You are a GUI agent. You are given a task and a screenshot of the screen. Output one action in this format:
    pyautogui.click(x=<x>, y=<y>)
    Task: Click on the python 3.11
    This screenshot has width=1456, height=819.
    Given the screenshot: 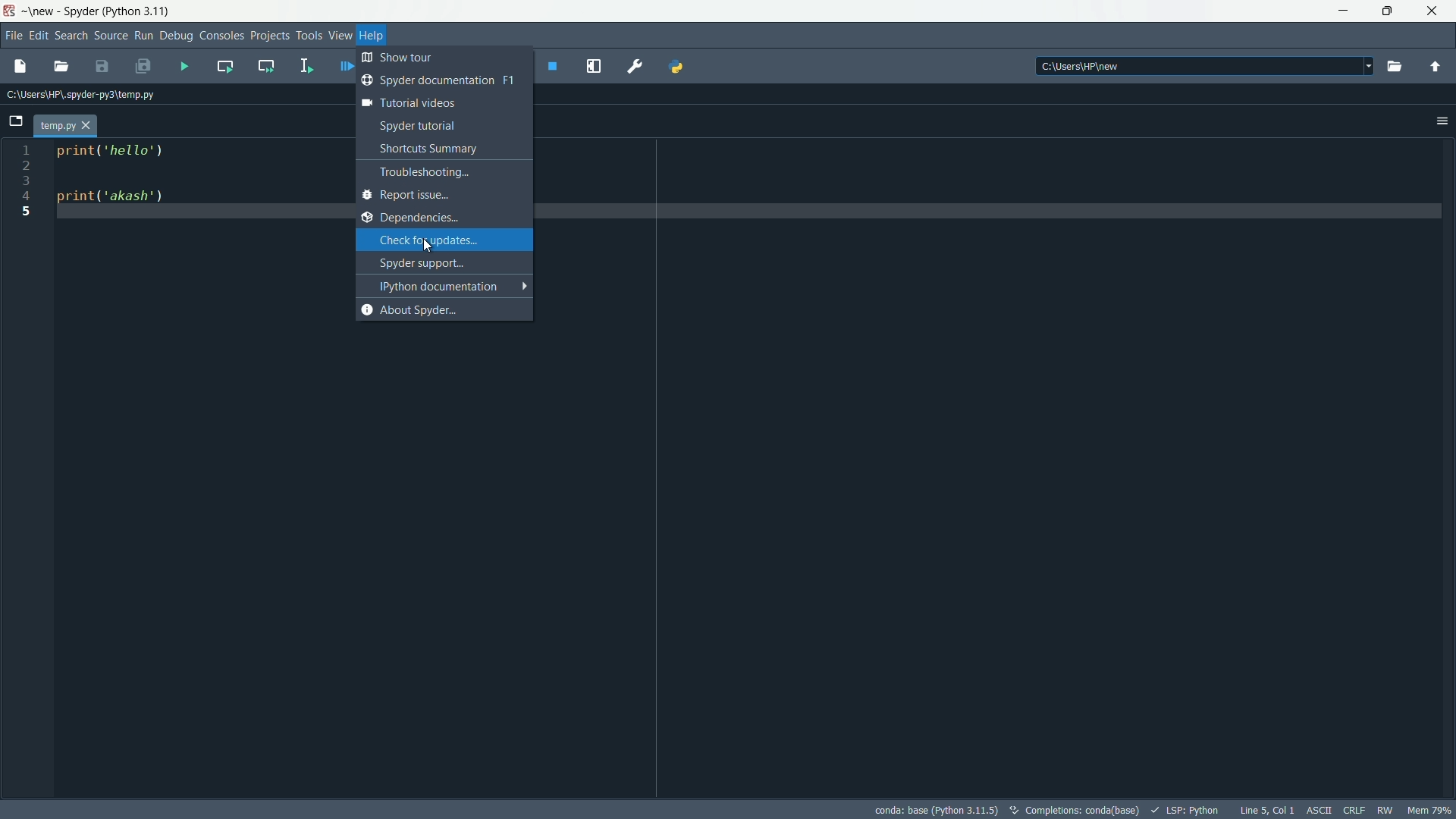 What is the action you would take?
    pyautogui.click(x=139, y=11)
    